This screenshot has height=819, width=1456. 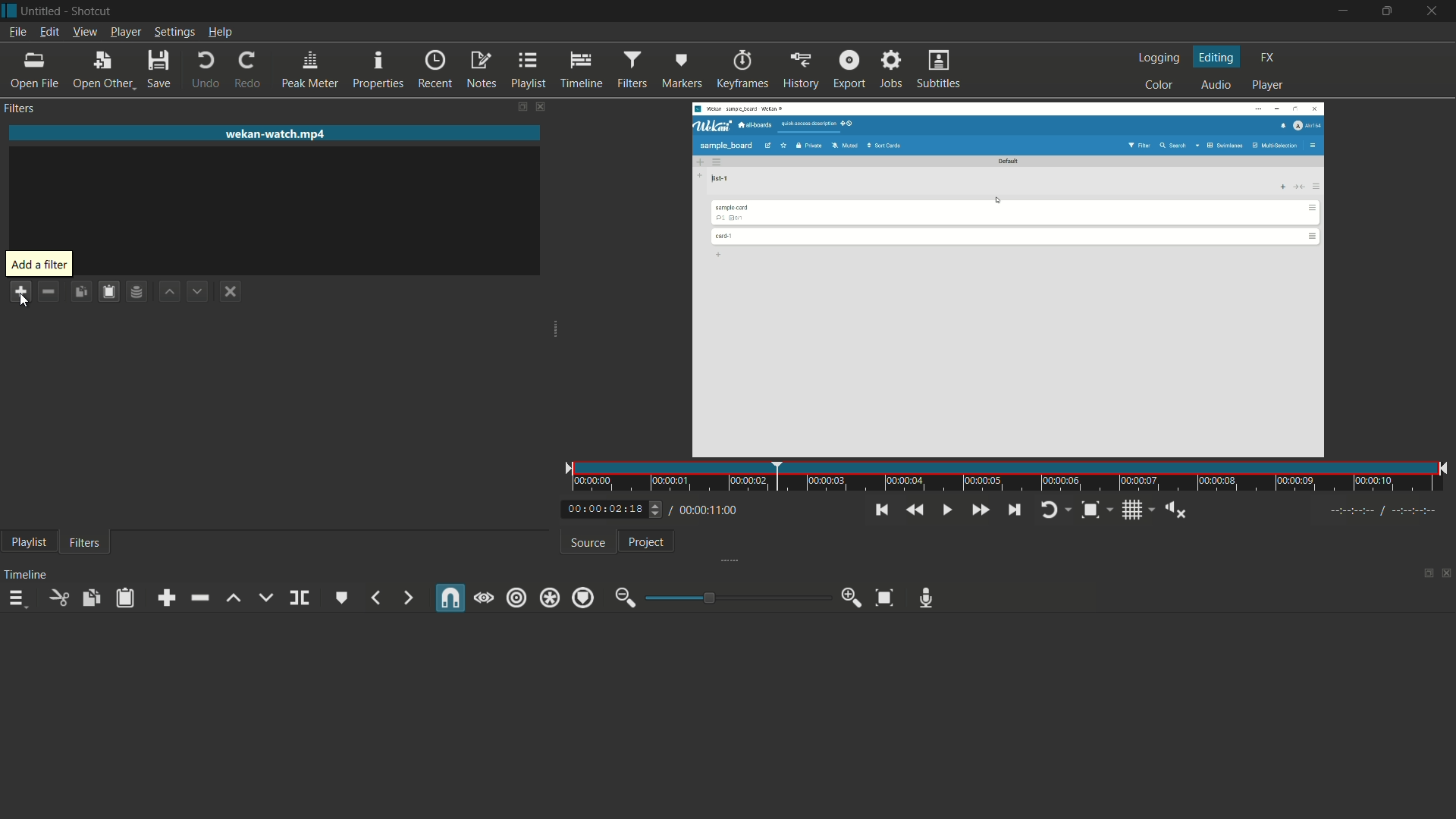 I want to click on view menu, so click(x=85, y=32).